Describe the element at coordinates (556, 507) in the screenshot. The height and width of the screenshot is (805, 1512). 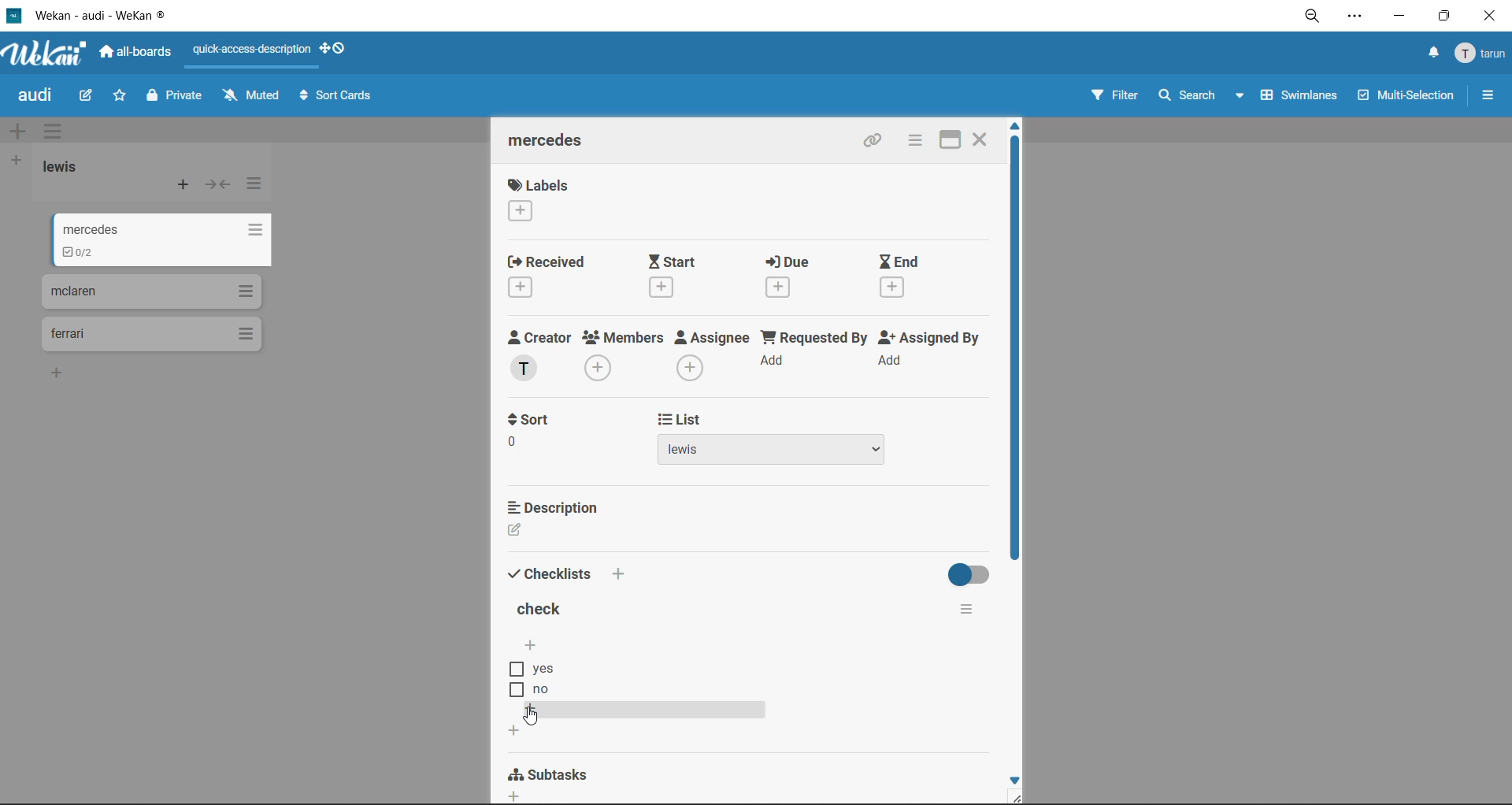
I see `description` at that location.